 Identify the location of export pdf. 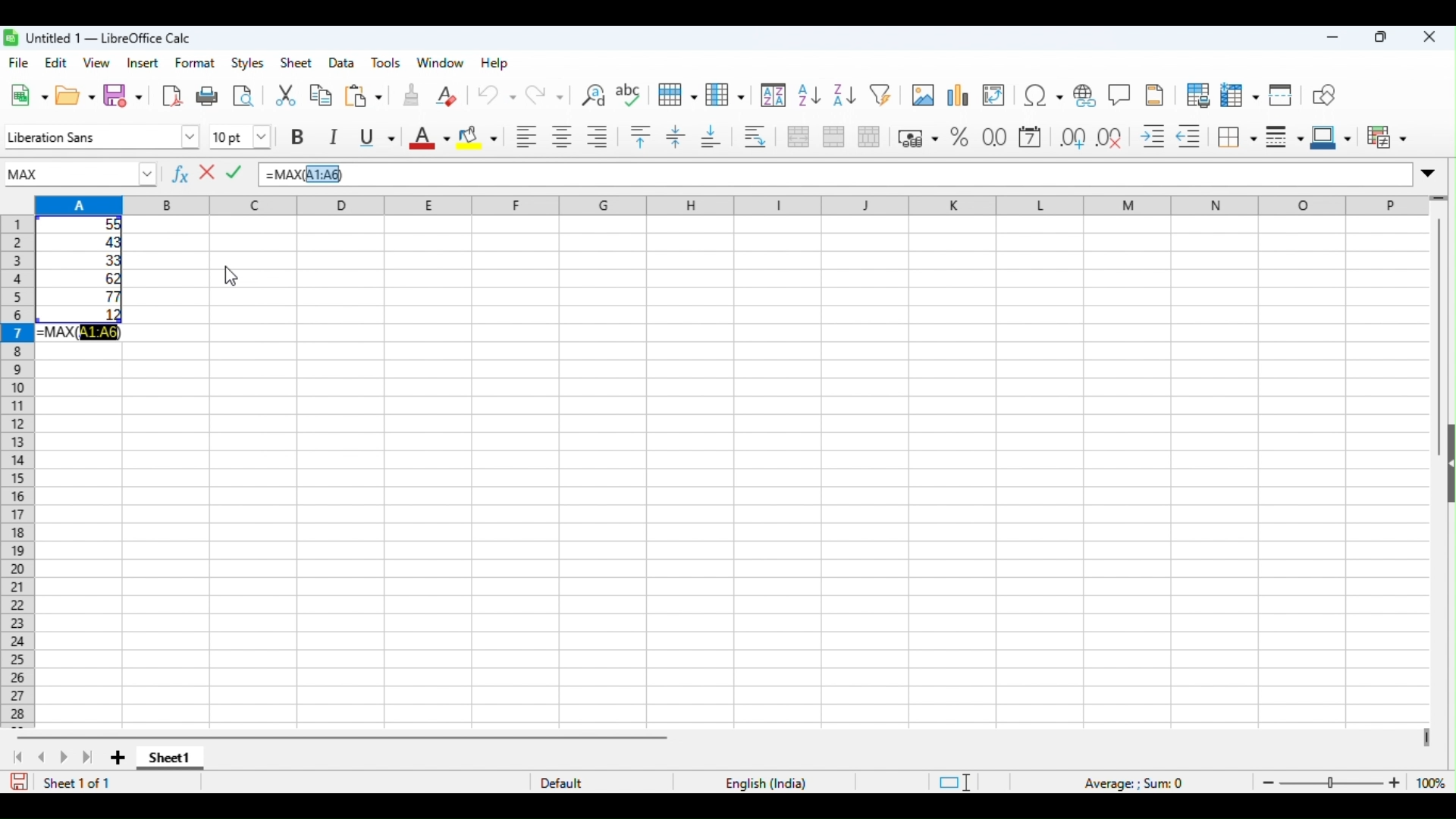
(170, 96).